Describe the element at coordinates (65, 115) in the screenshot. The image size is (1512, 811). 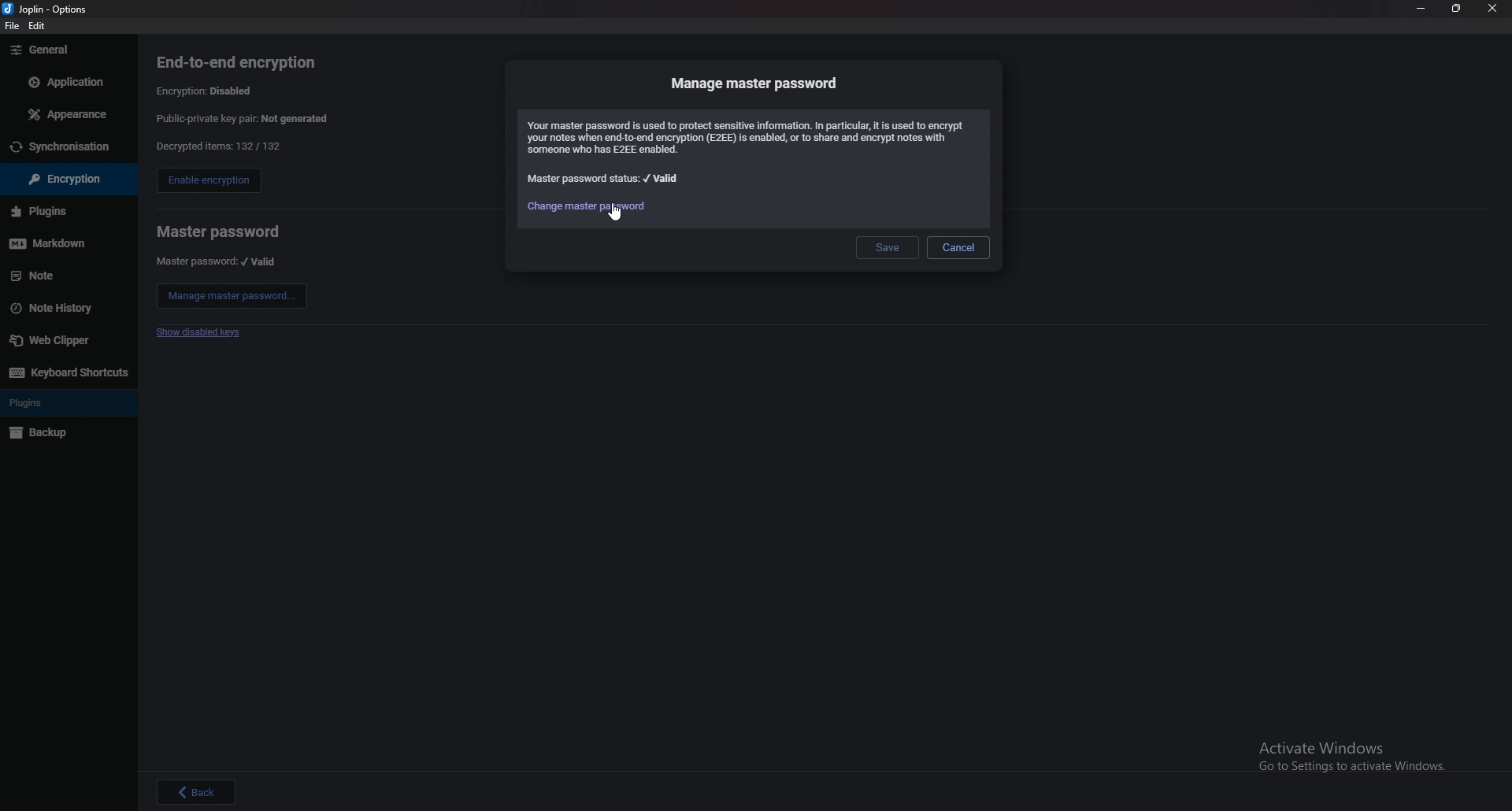
I see `appearance` at that location.